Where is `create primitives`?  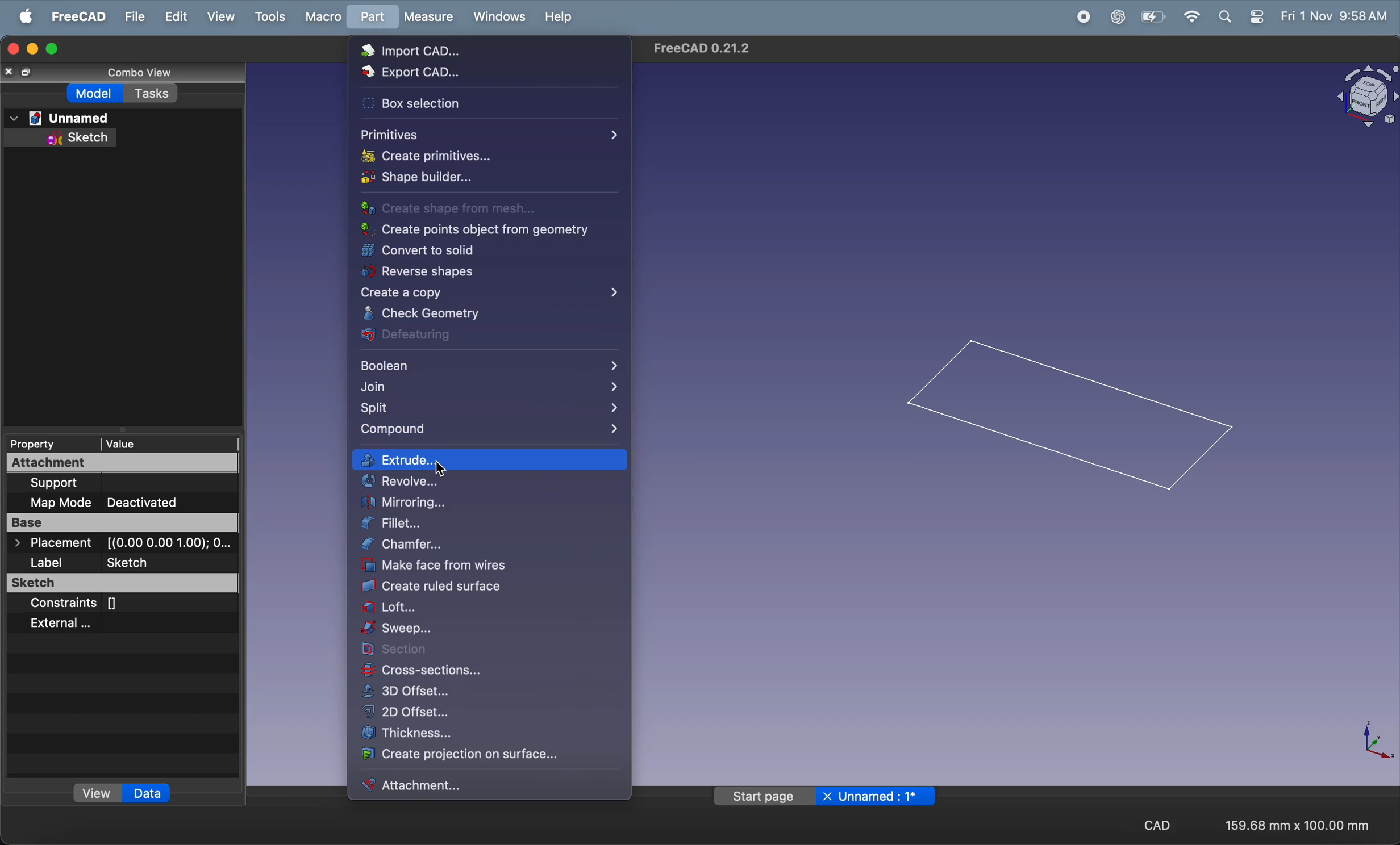 create primitives is located at coordinates (461, 157).